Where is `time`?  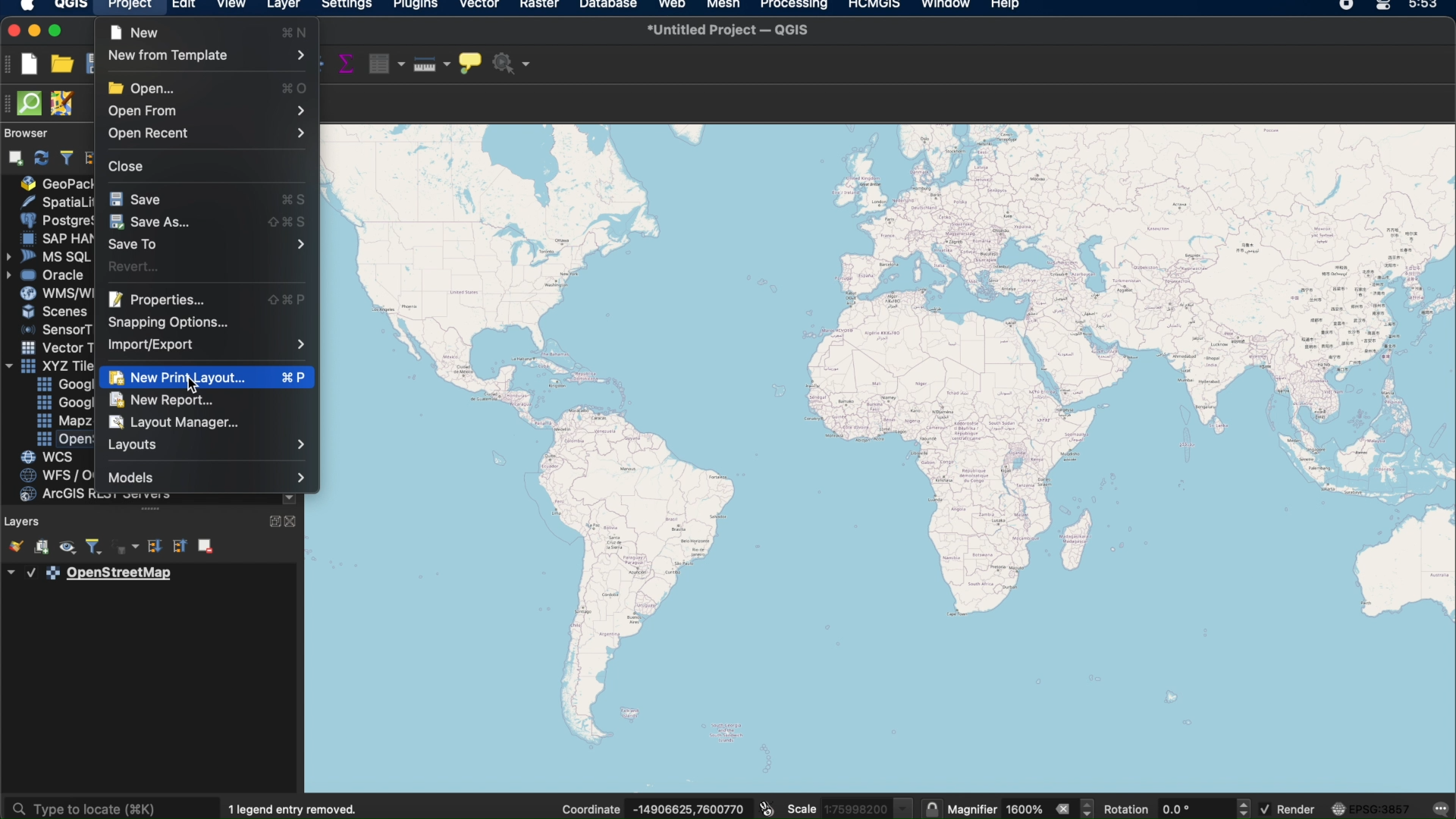 time is located at coordinates (1429, 7).